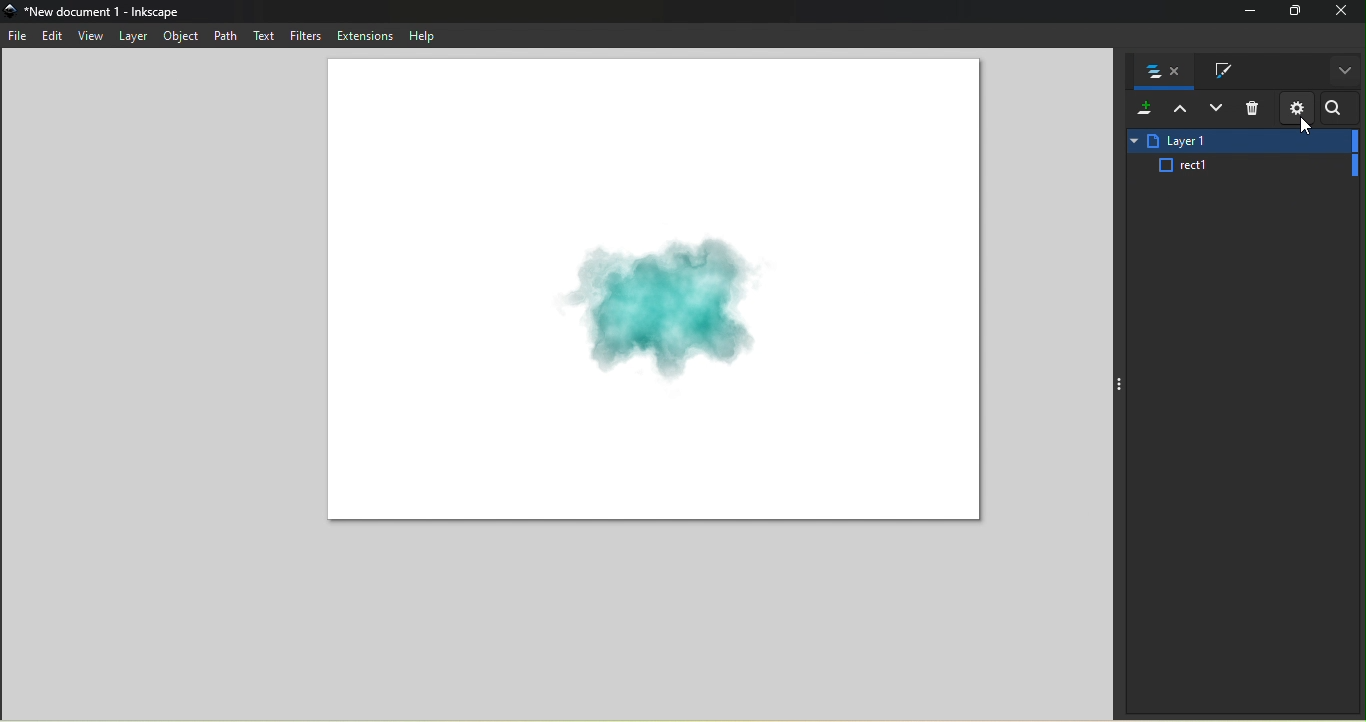 This screenshot has width=1366, height=722. What do you see at coordinates (134, 34) in the screenshot?
I see `Layer` at bounding box center [134, 34].